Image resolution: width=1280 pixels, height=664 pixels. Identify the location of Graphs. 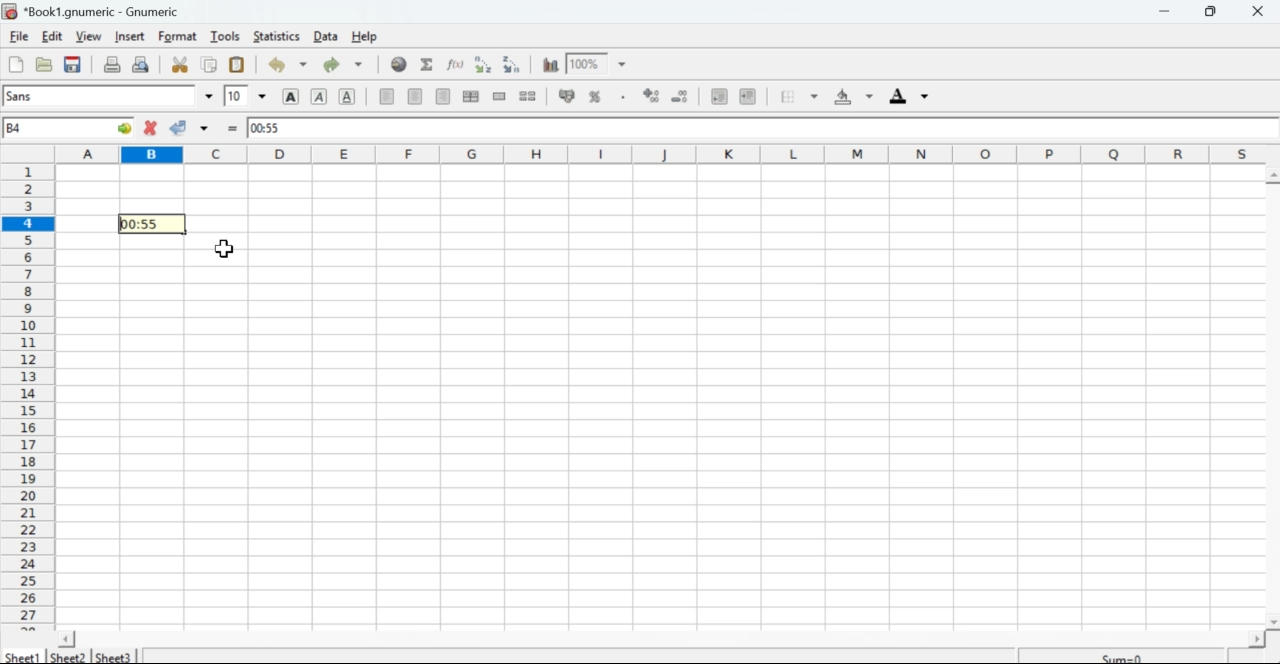
(549, 64).